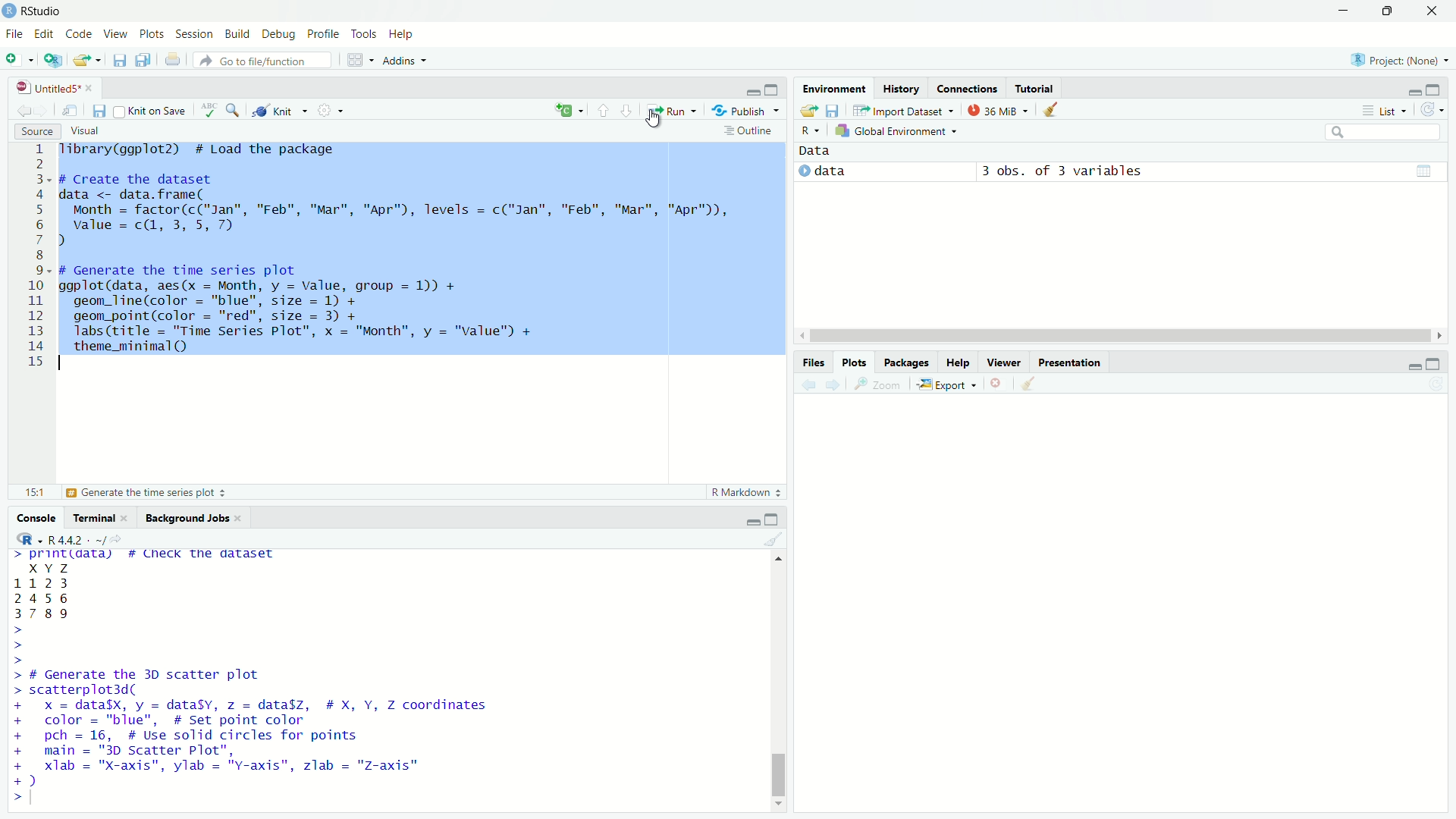 Image resolution: width=1456 pixels, height=819 pixels. I want to click on import dataset, so click(903, 110).